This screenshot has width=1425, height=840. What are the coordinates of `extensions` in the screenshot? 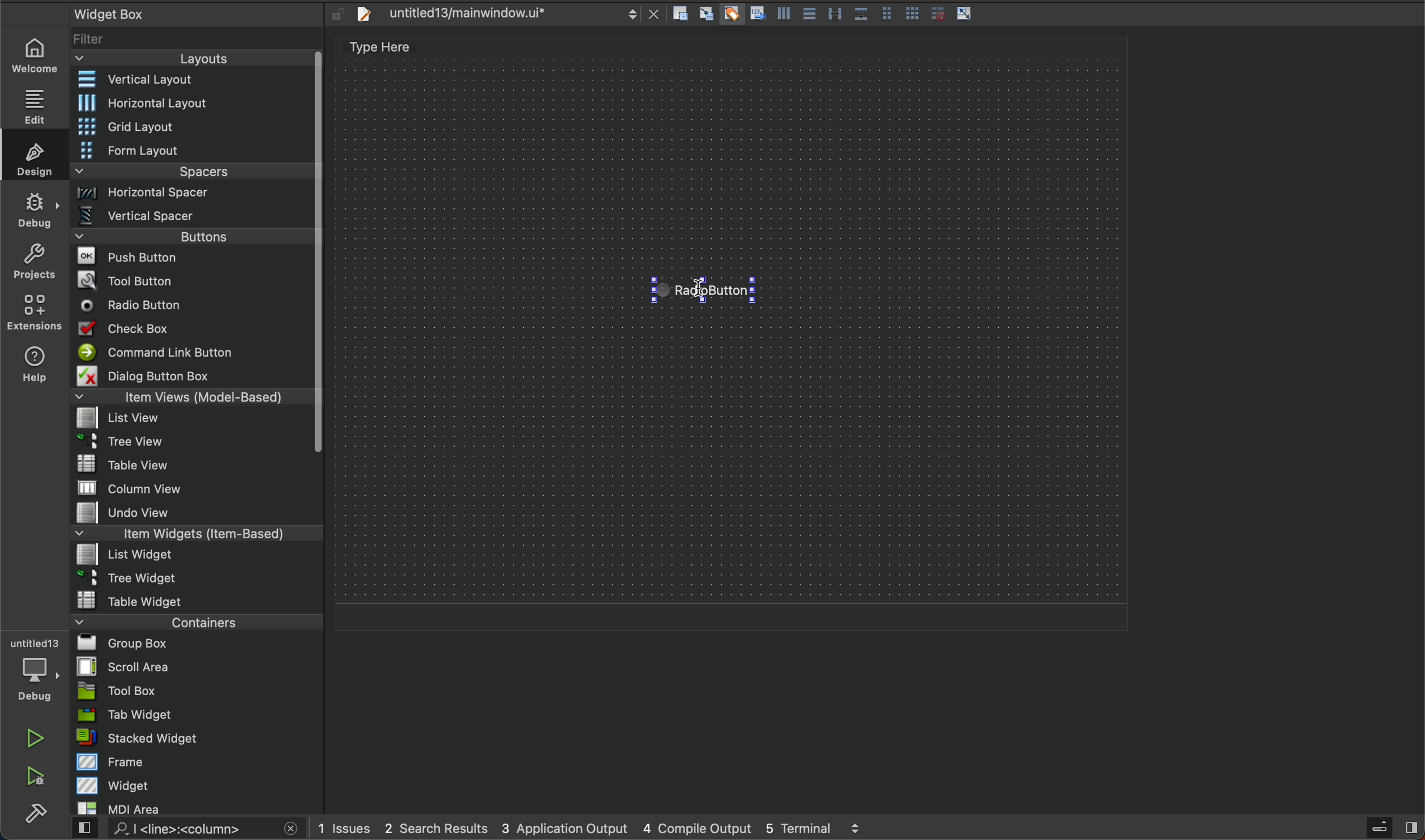 It's located at (33, 312).